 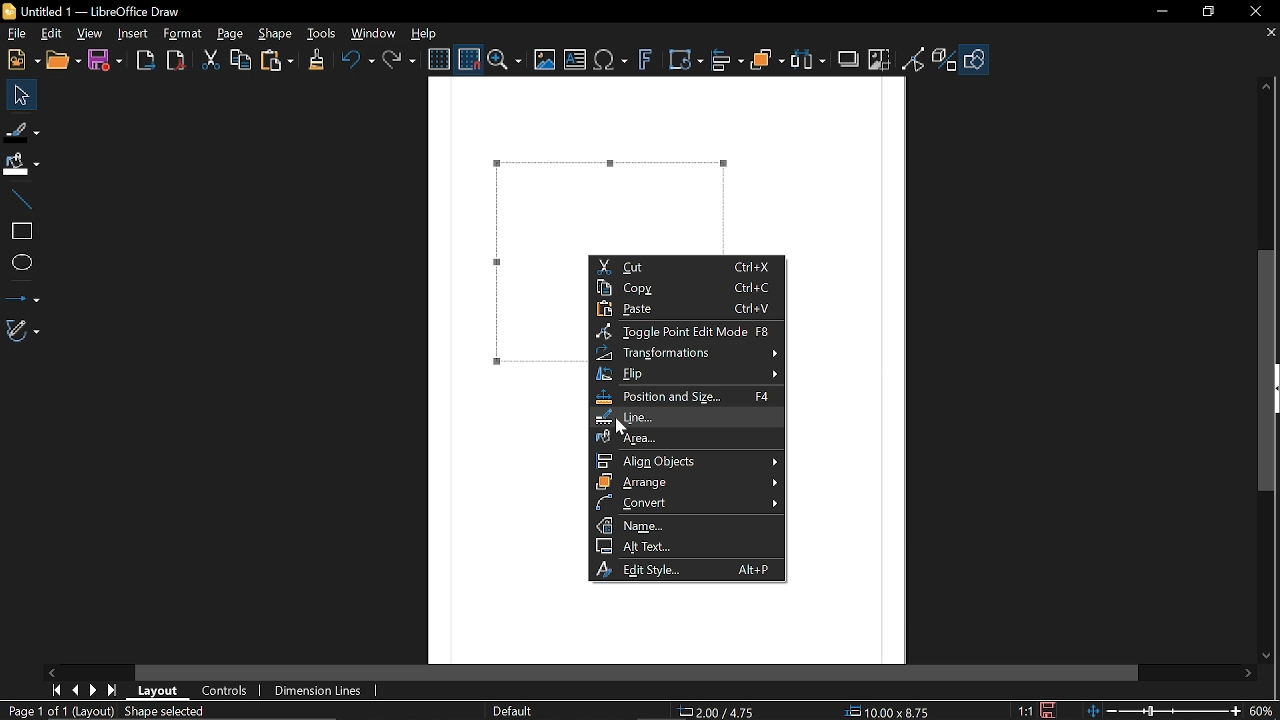 What do you see at coordinates (95, 12) in the screenshot?
I see `Current window` at bounding box center [95, 12].